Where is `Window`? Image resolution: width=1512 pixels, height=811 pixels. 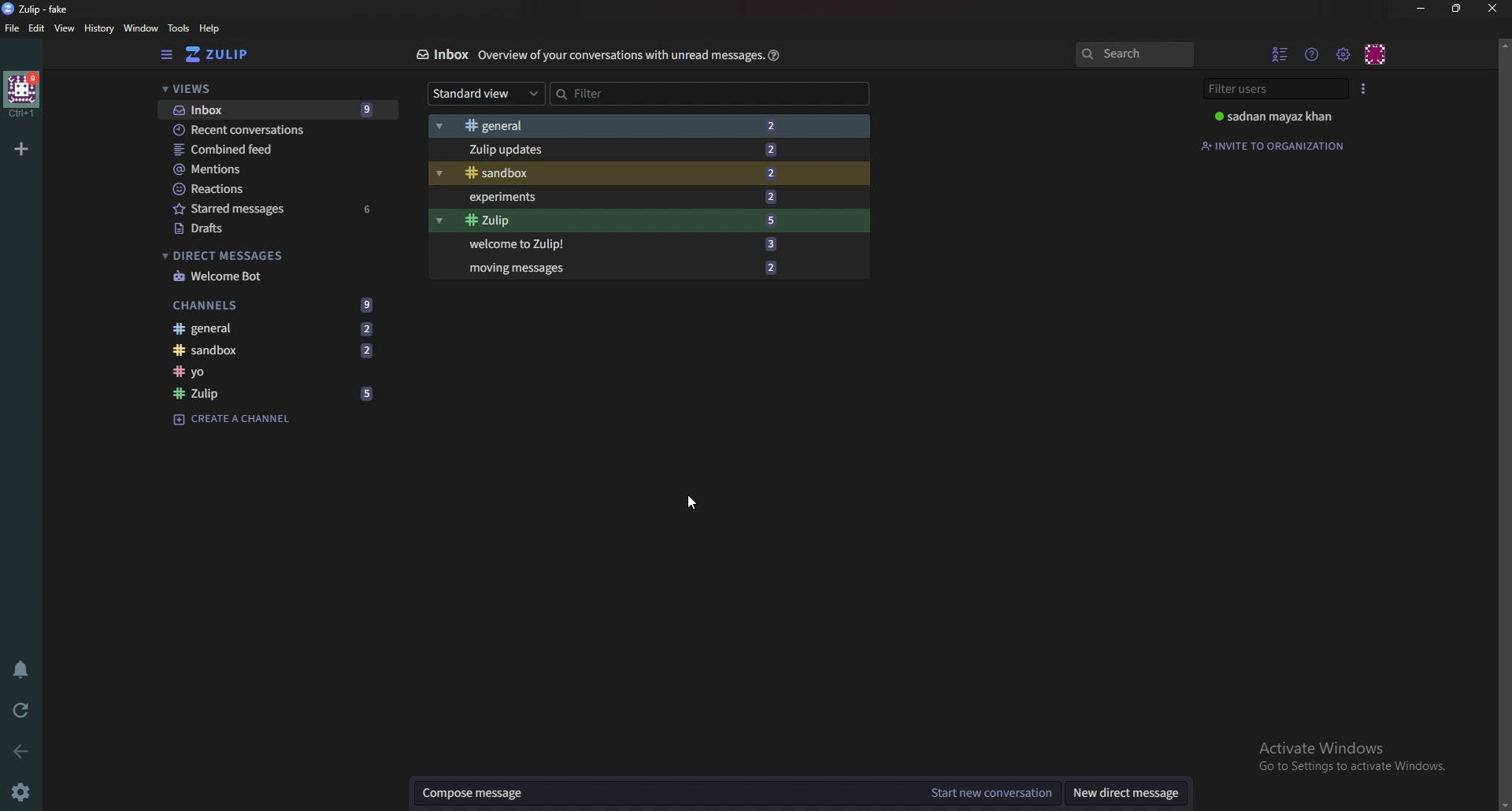 Window is located at coordinates (140, 28).